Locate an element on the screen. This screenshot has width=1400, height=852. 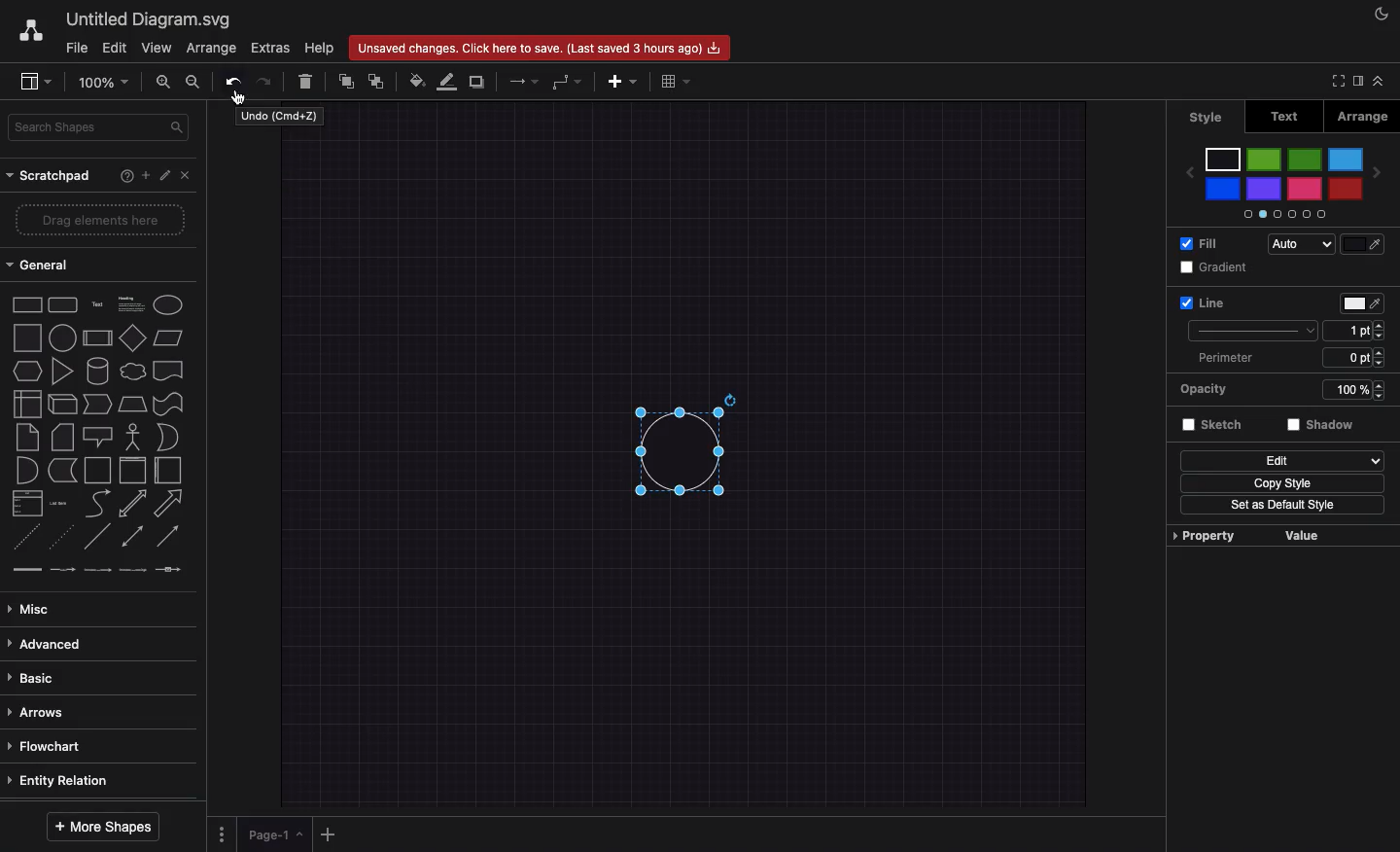
Line color is located at coordinates (449, 80).